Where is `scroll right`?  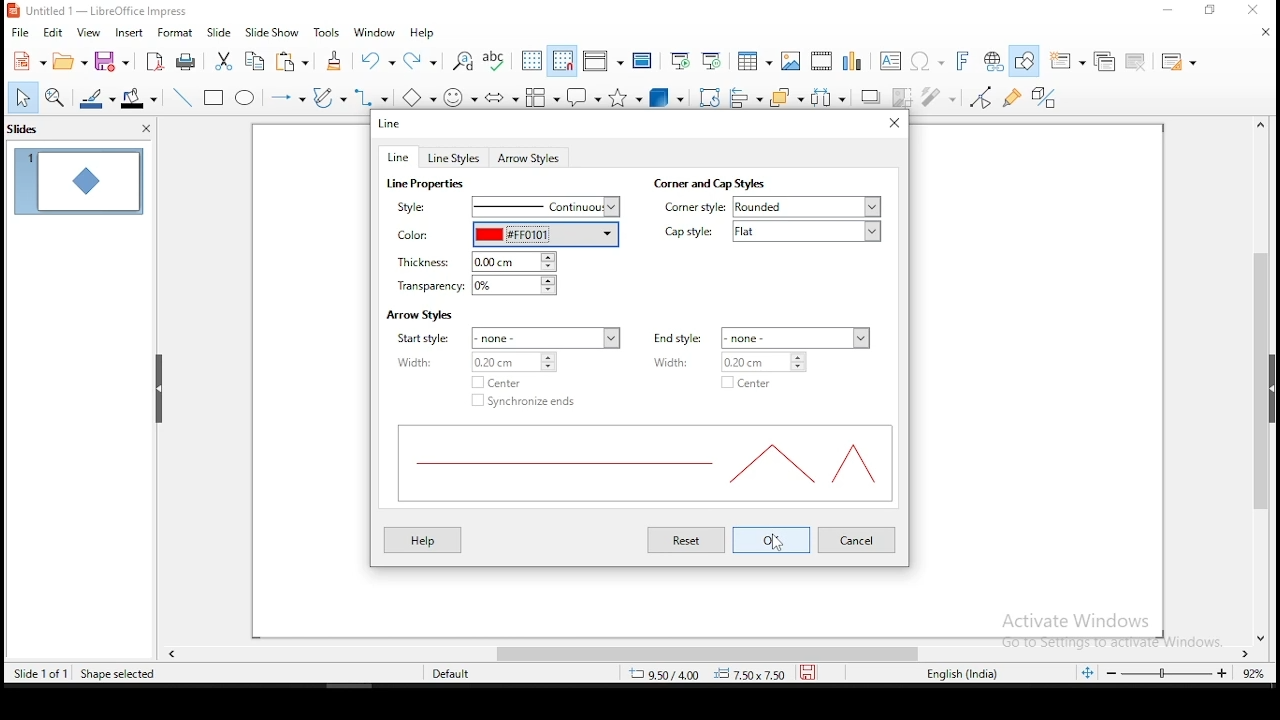 scroll right is located at coordinates (1249, 651).